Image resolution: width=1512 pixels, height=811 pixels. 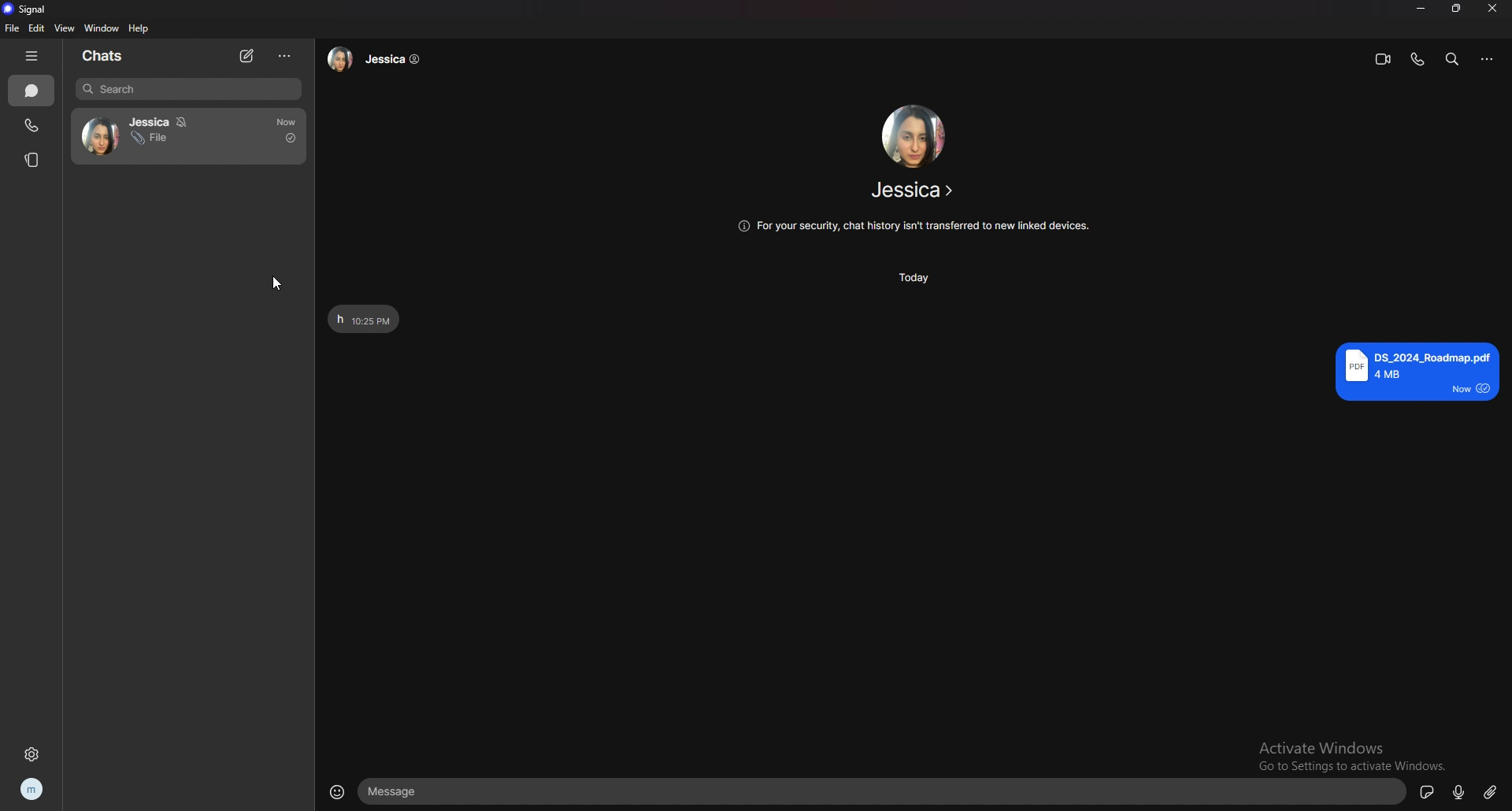 What do you see at coordinates (246, 57) in the screenshot?
I see `new chat` at bounding box center [246, 57].